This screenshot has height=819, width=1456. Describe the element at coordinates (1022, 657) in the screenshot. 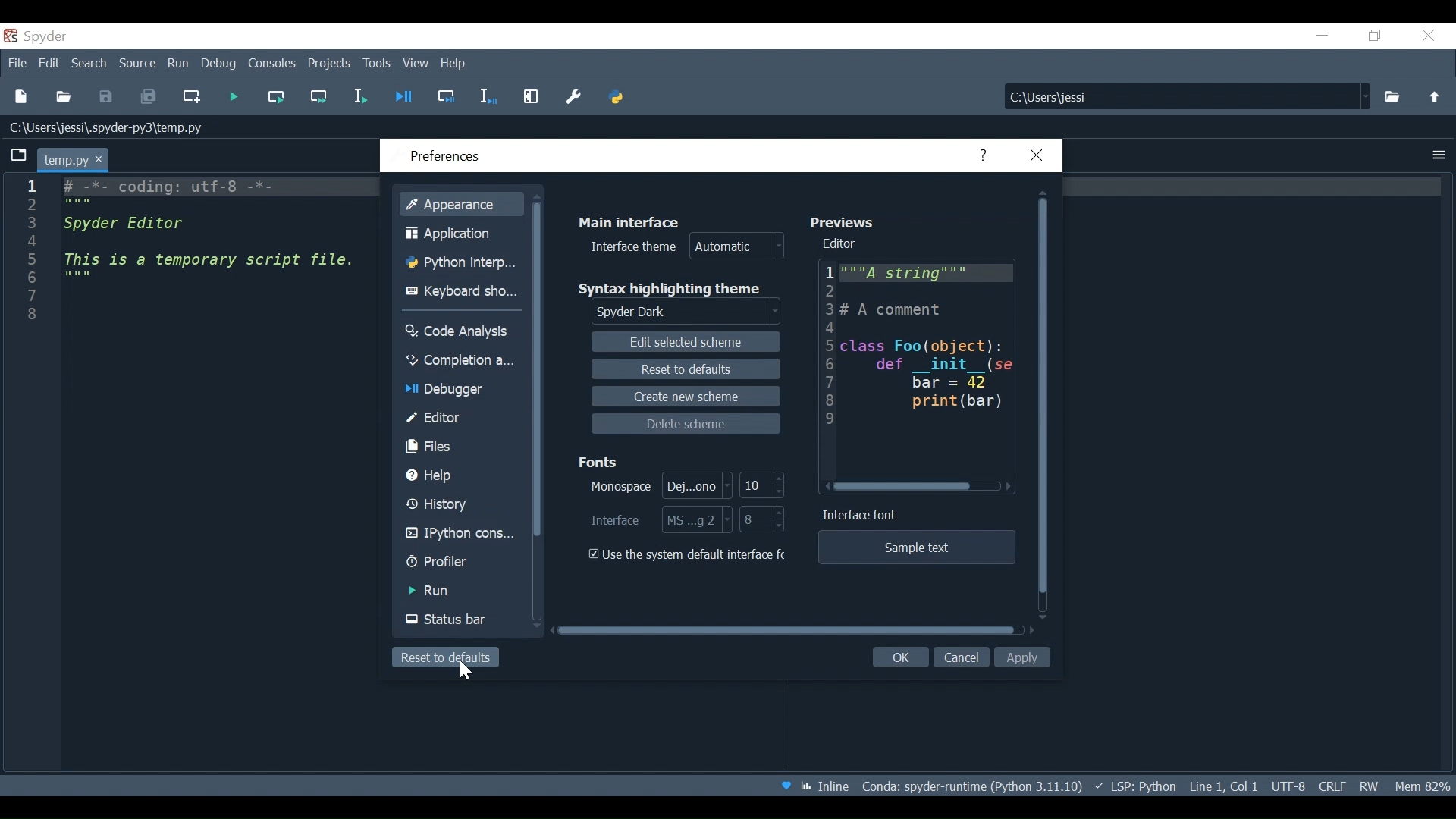

I see `Apply` at that location.